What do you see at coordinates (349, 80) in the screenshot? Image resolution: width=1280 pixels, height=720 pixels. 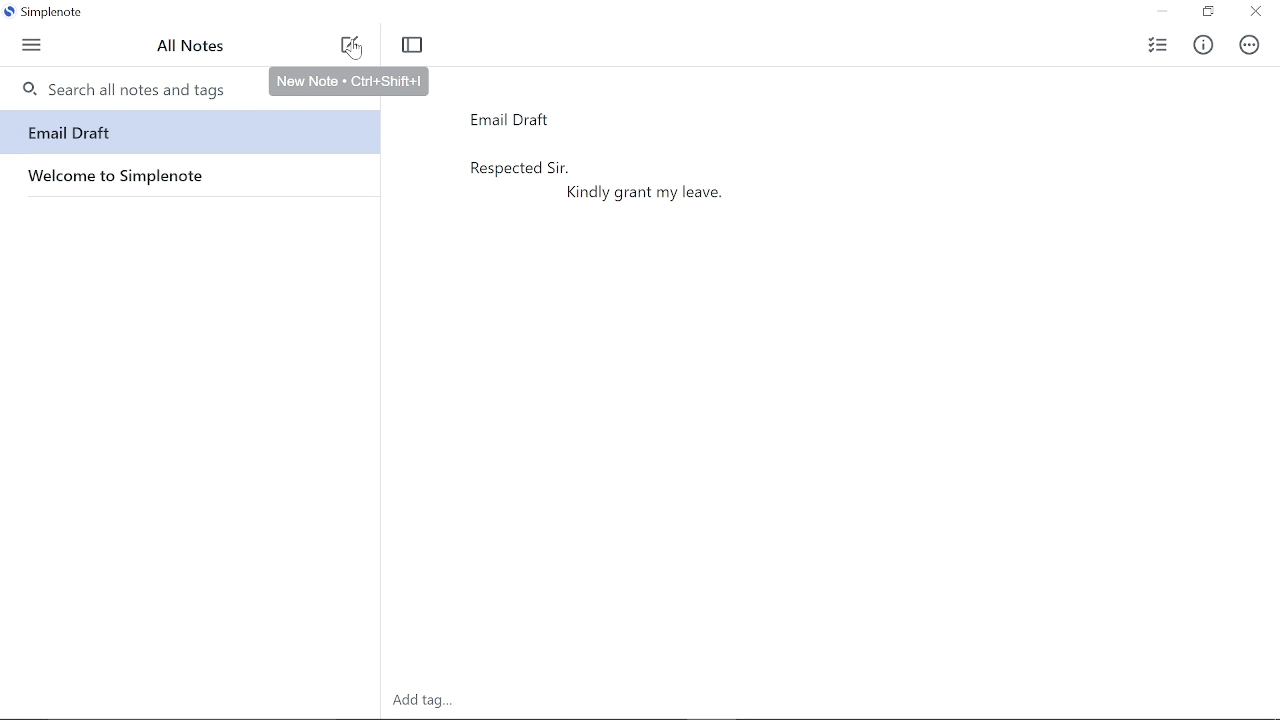 I see `New Note * Ctri+Shift+I` at bounding box center [349, 80].